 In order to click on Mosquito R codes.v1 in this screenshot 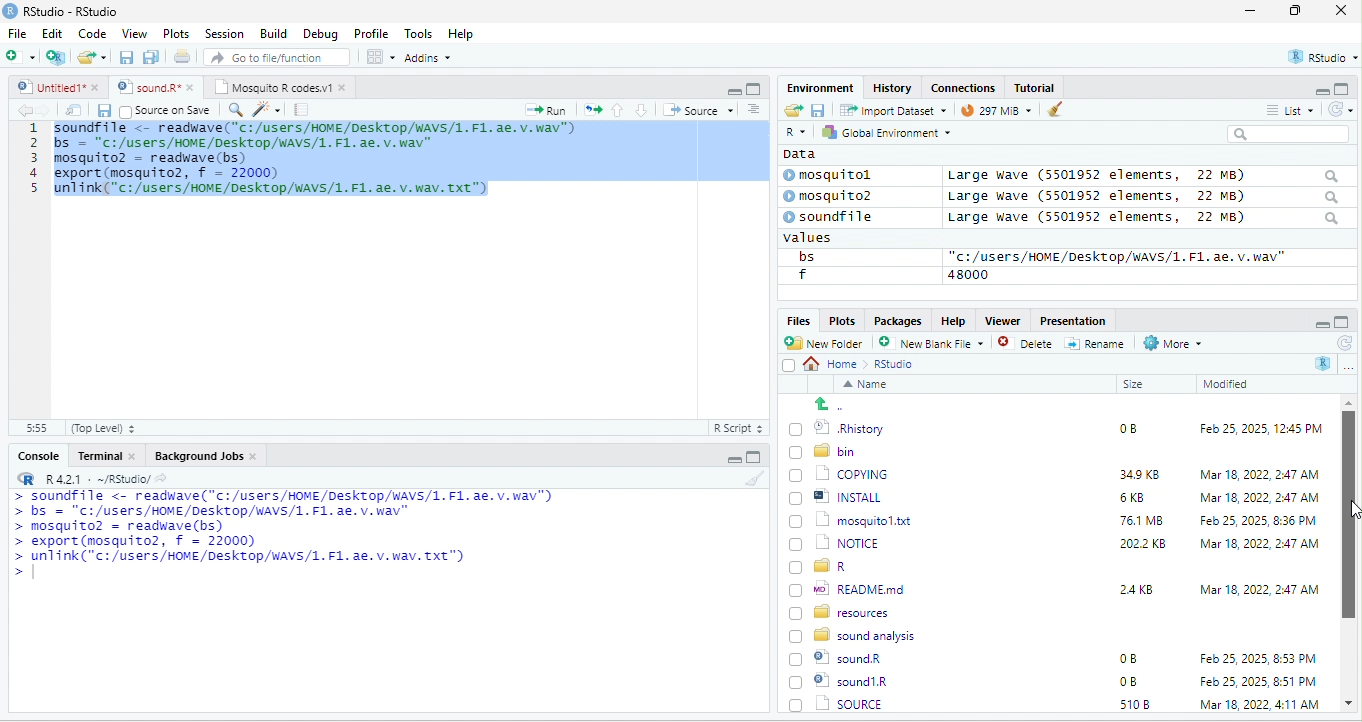, I will do `click(276, 87)`.